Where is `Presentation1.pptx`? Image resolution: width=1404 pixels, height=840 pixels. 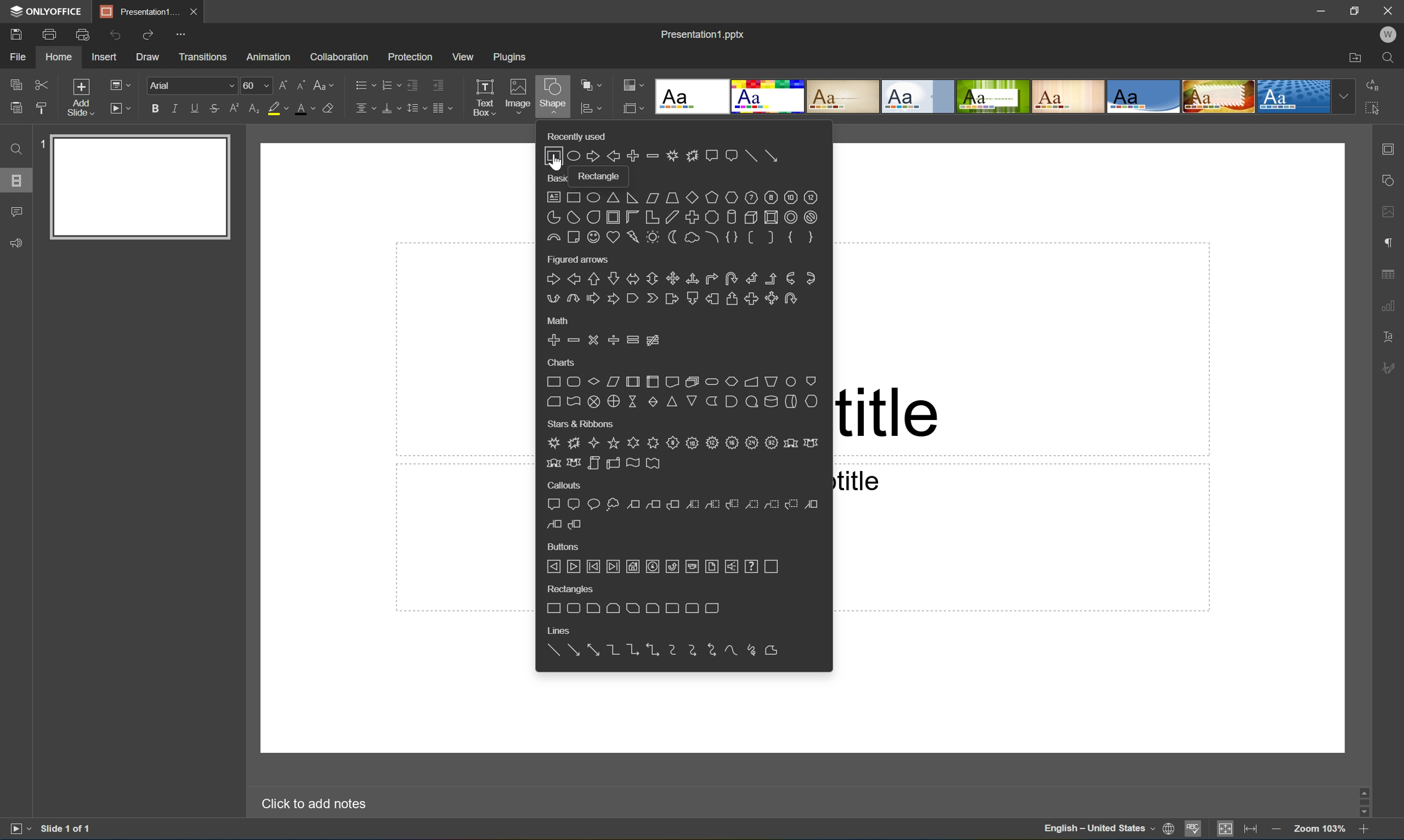 Presentation1.pptx is located at coordinates (702, 37).